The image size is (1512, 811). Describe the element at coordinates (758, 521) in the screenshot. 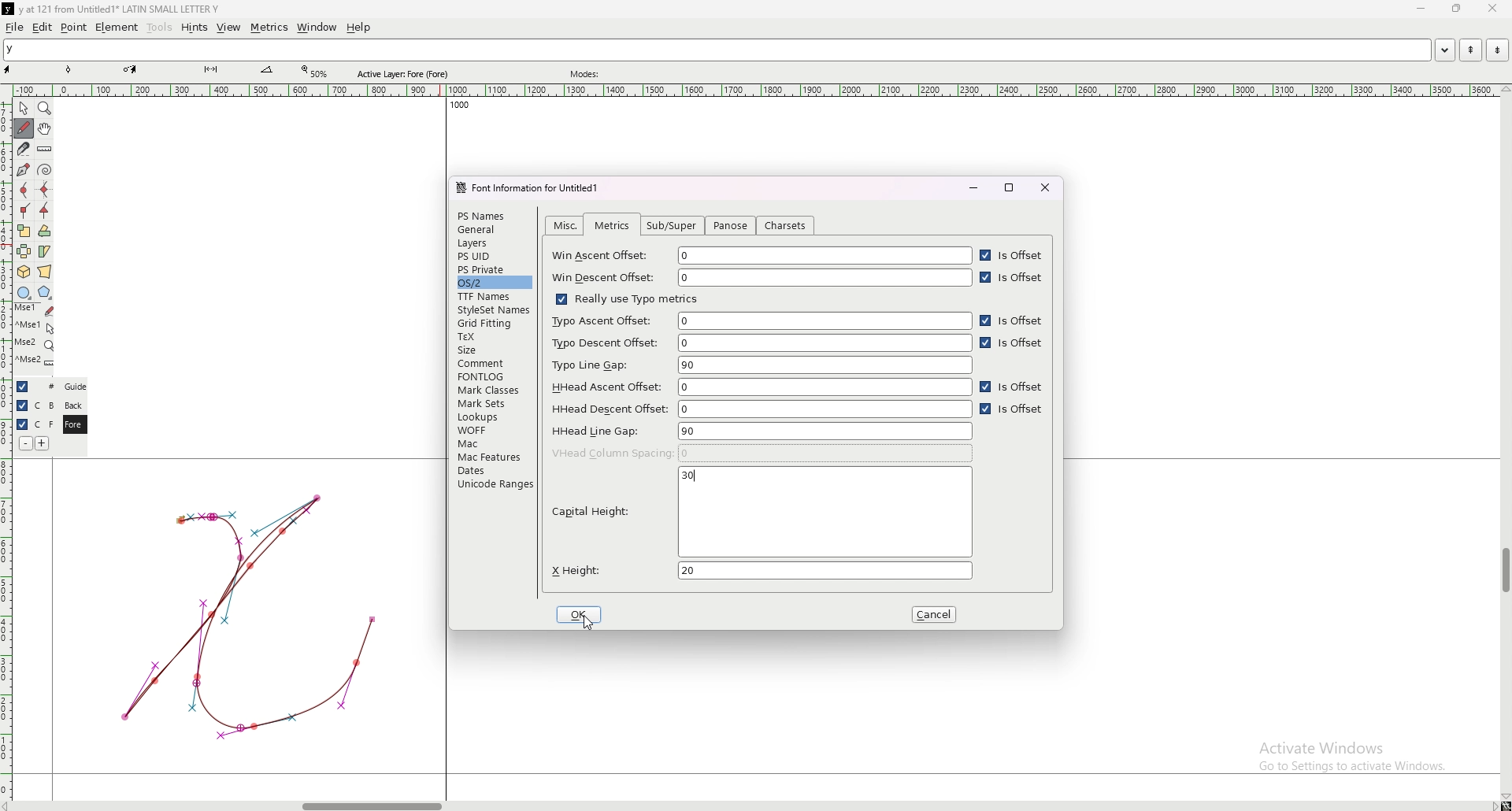

I see `capital height` at that location.